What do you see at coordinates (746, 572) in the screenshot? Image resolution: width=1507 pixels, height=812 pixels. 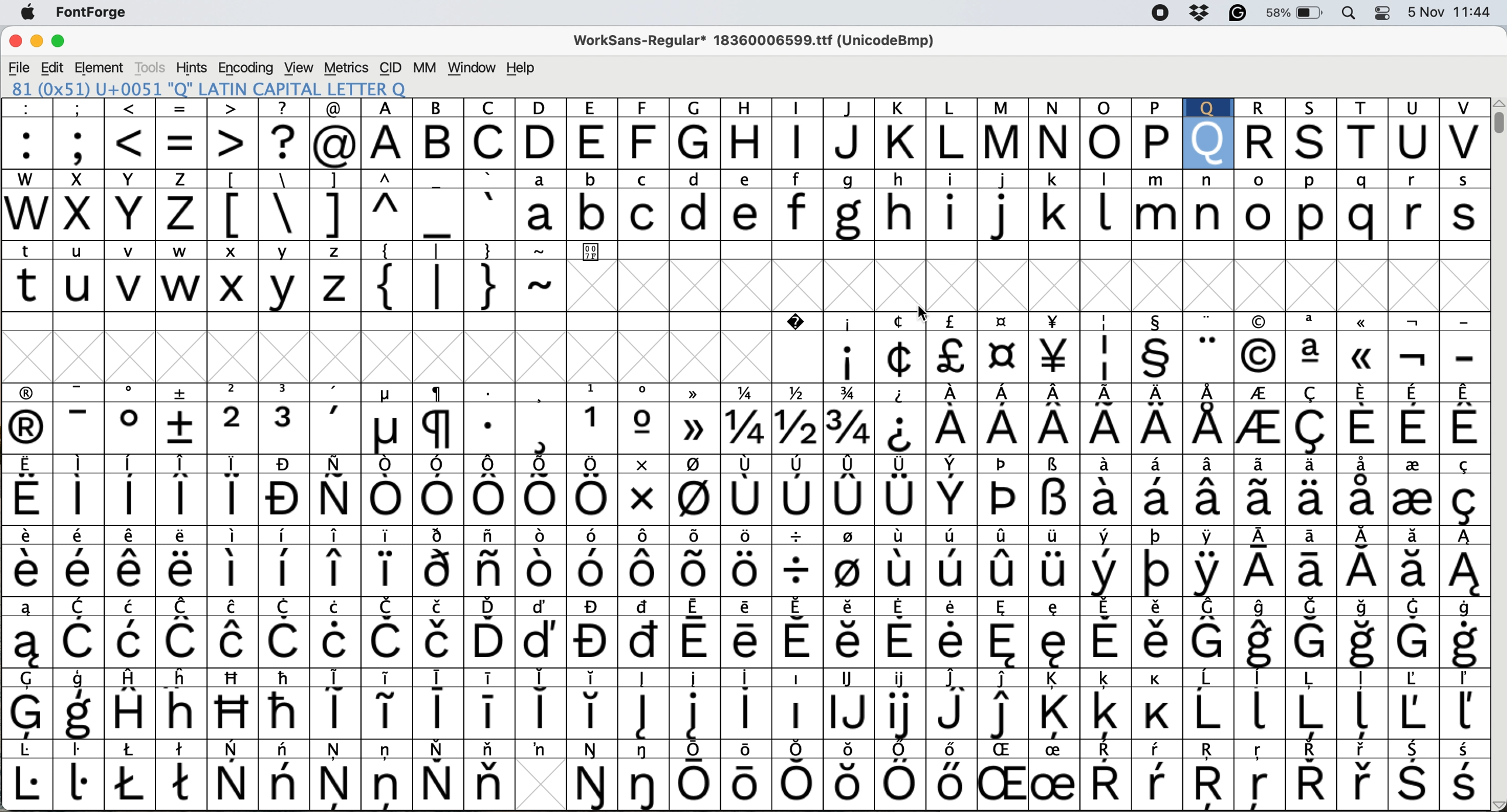 I see `special characters` at bounding box center [746, 572].